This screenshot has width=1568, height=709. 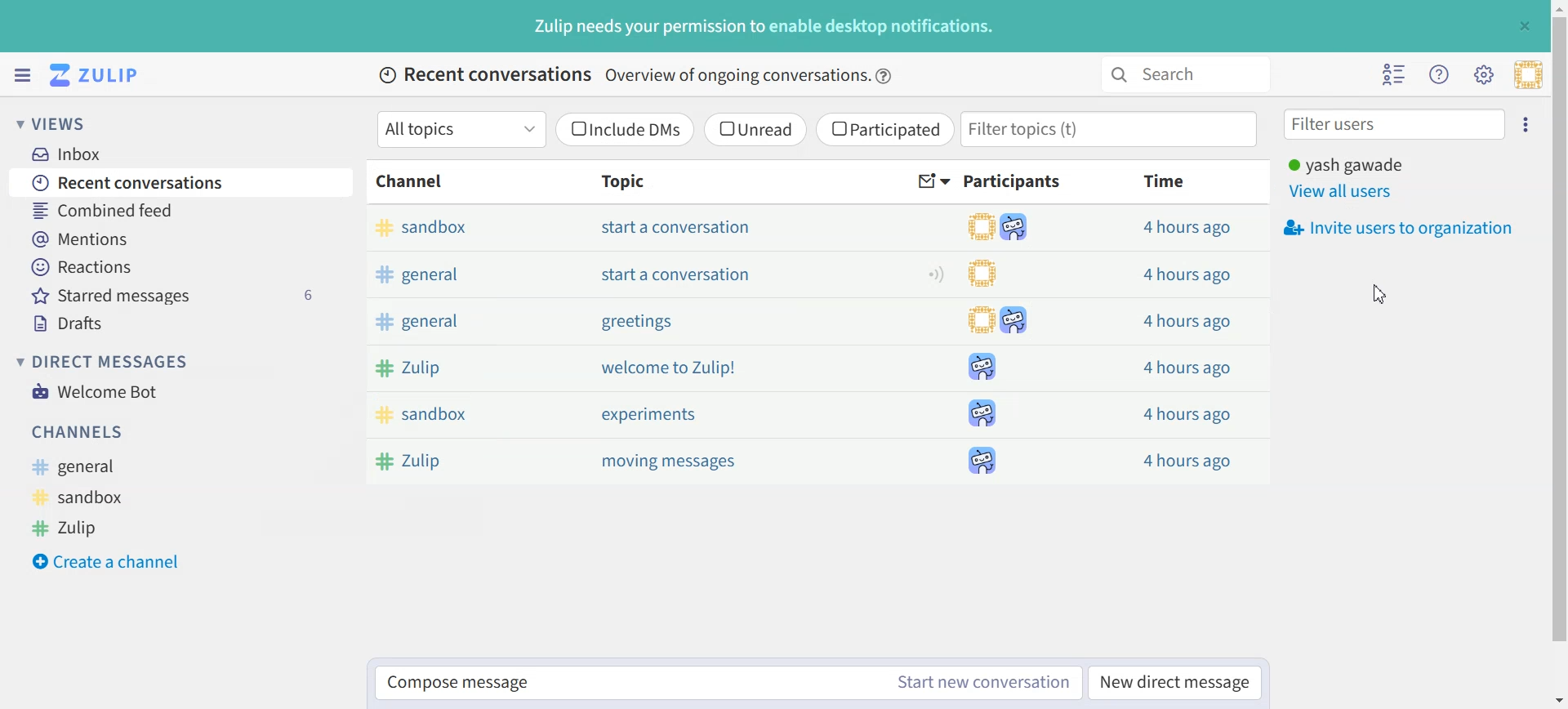 I want to click on Views, so click(x=60, y=123).